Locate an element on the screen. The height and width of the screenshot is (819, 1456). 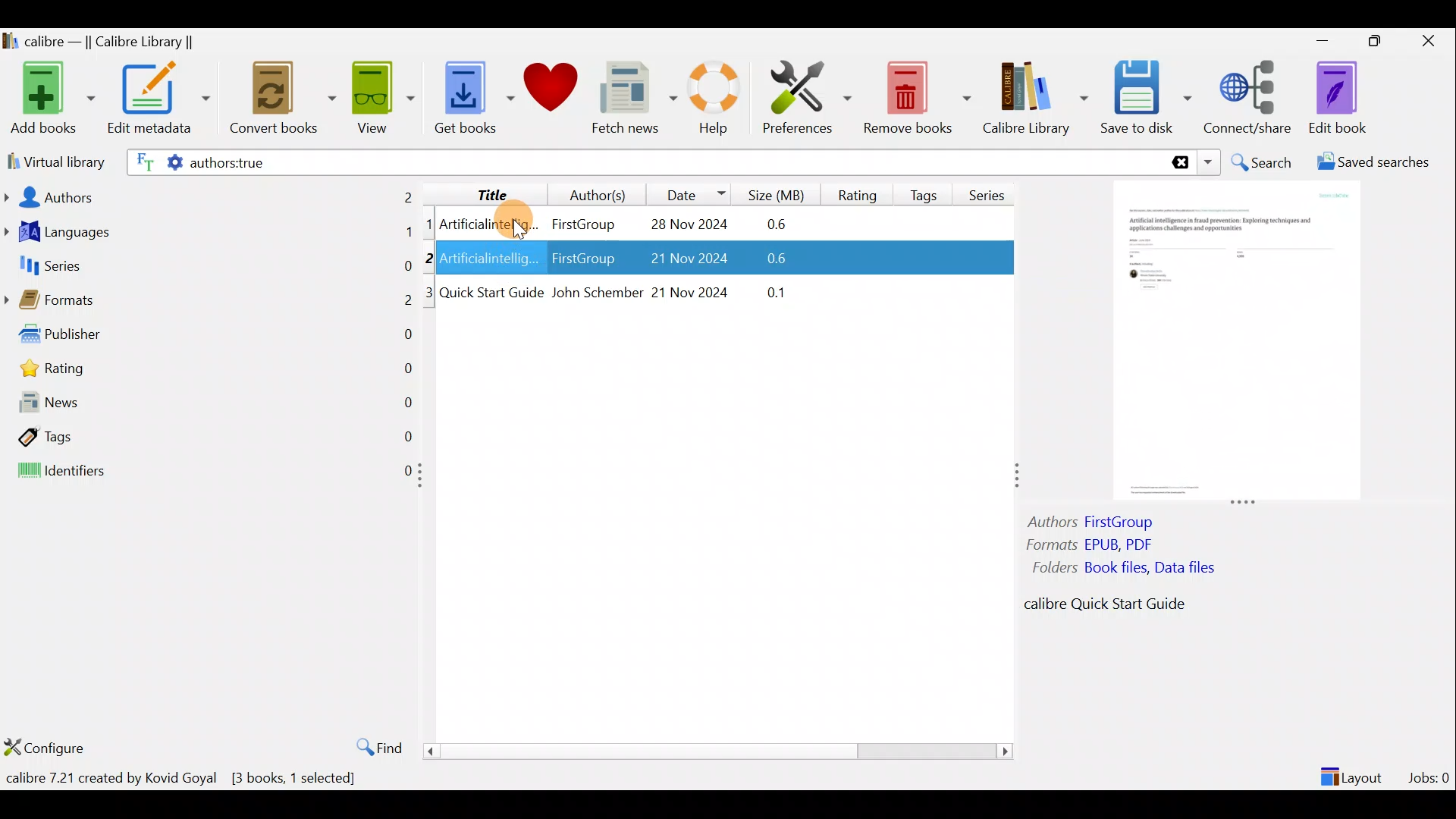
Adjust column to the left is located at coordinates (425, 480).